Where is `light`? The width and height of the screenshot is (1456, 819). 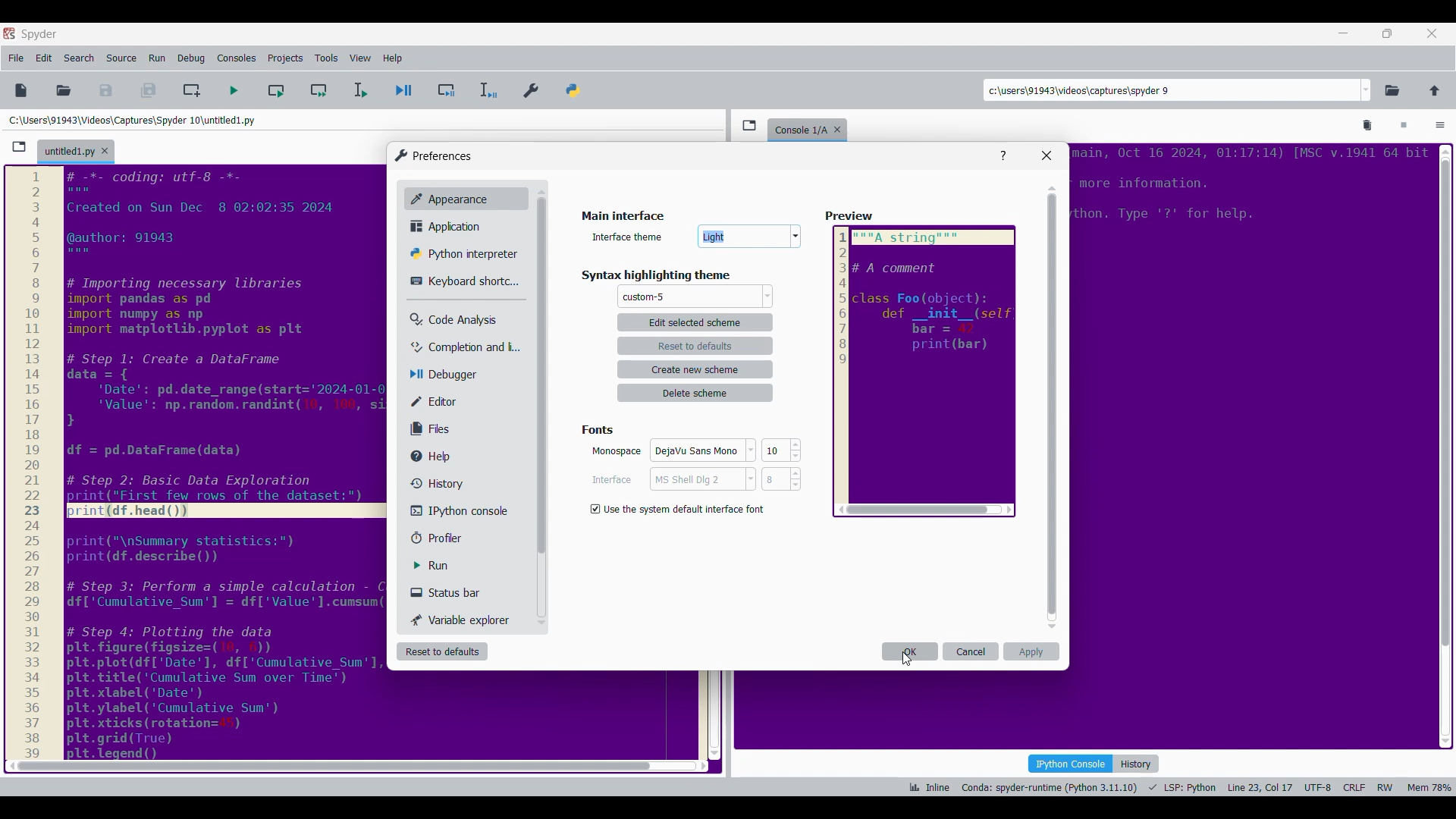
light is located at coordinates (751, 238).